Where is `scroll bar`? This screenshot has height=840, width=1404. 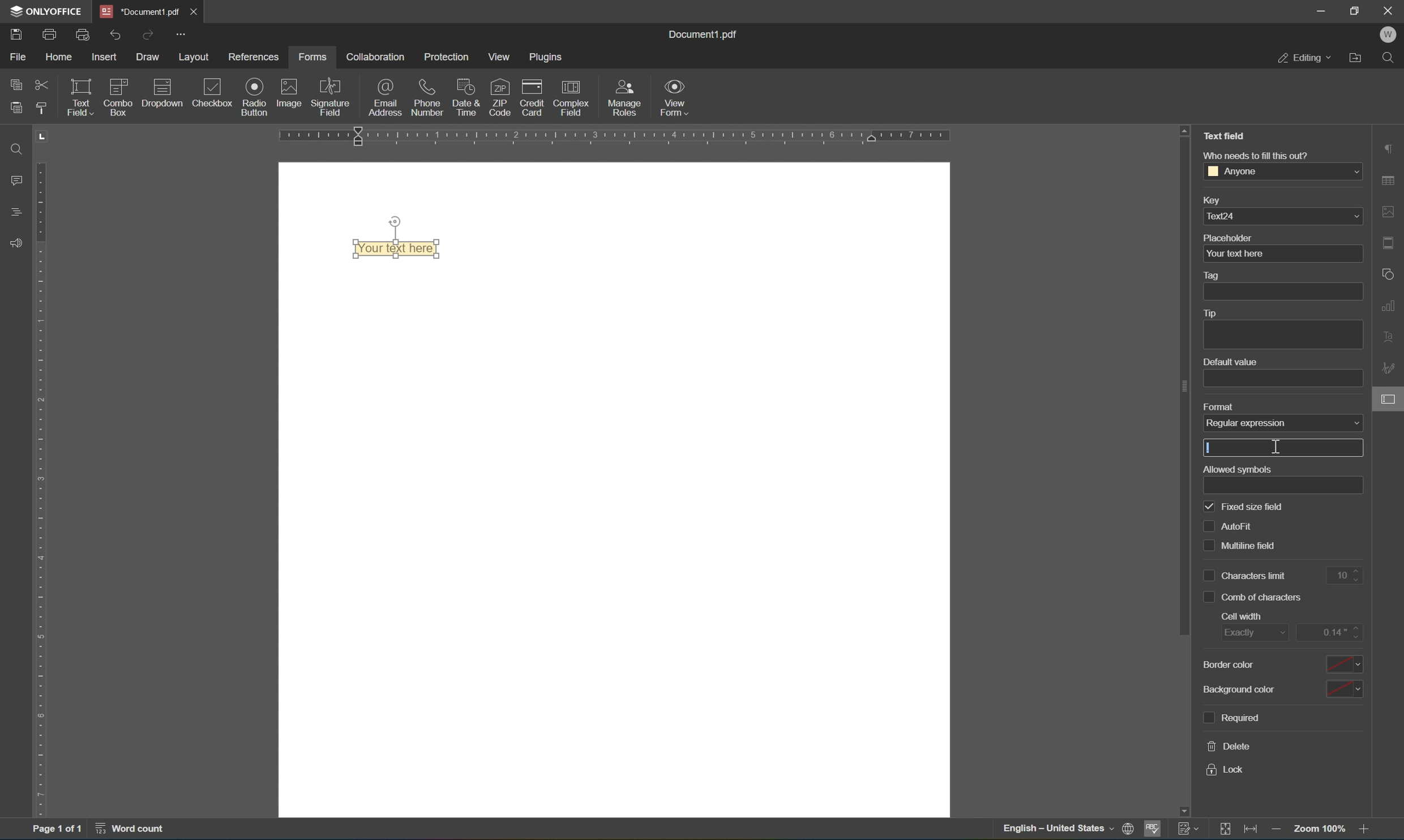
scroll bar is located at coordinates (1184, 387).